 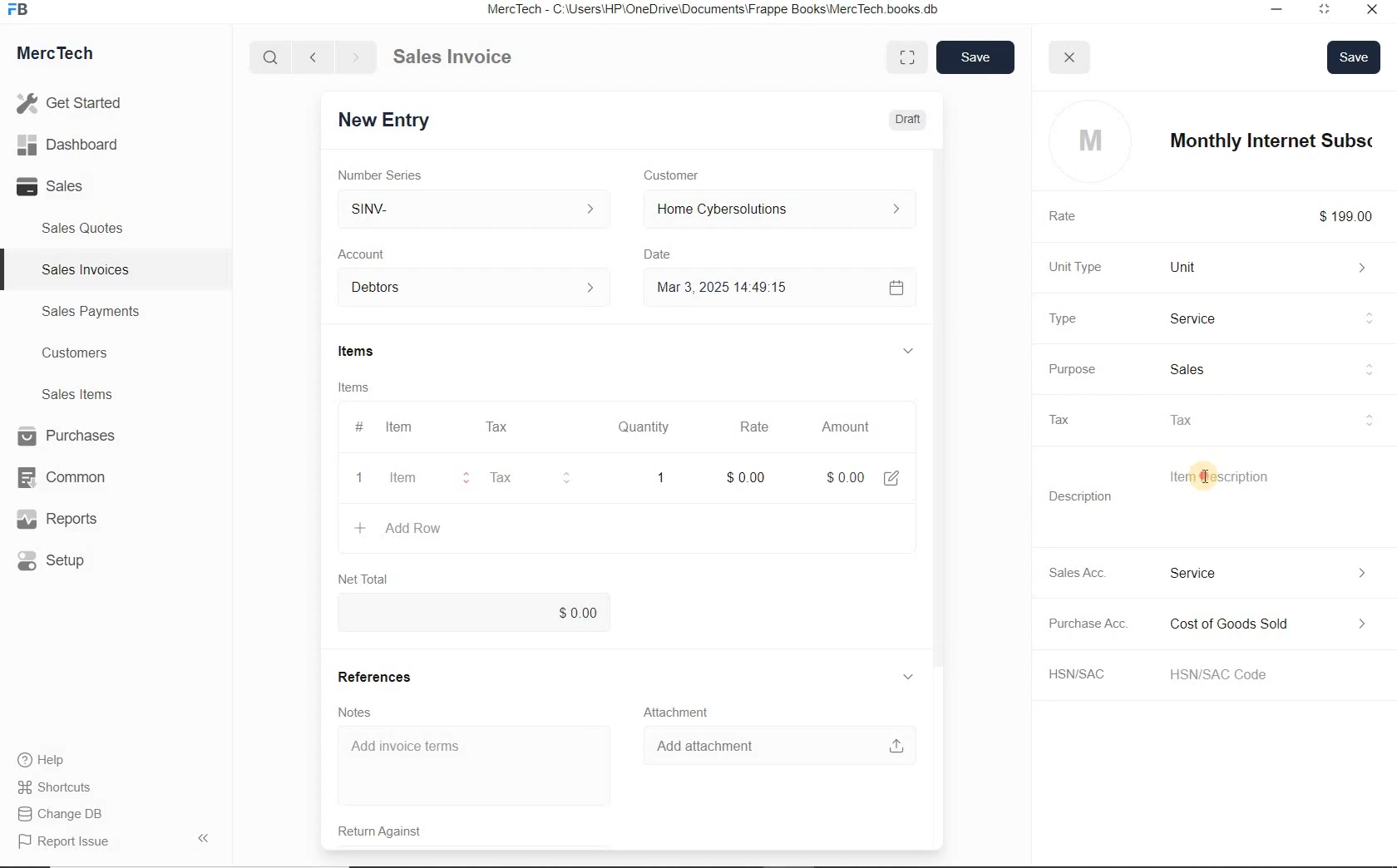 I want to click on Sales Payments, so click(x=88, y=312).